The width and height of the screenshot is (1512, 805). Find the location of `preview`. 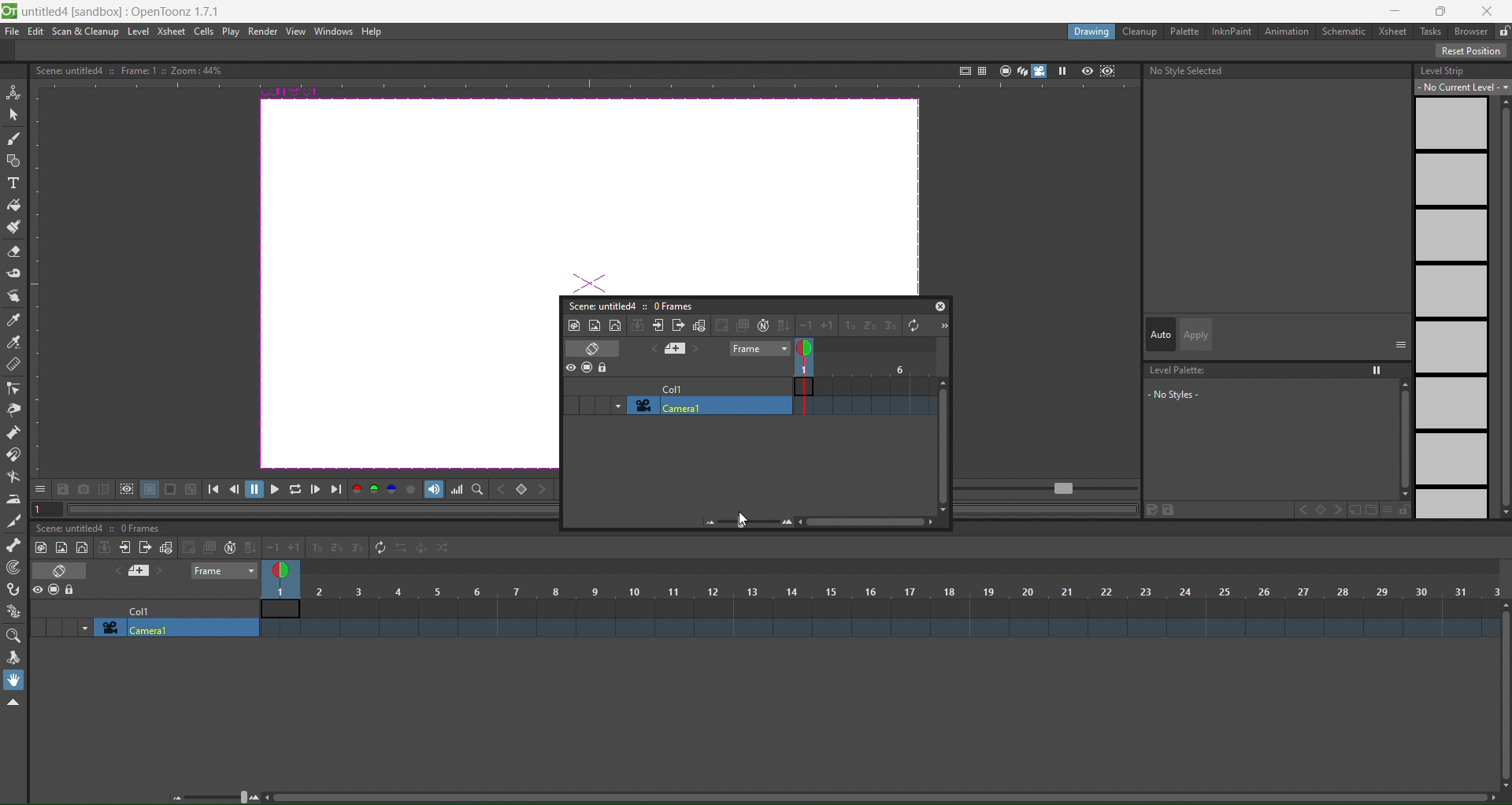

preview is located at coordinates (1087, 70).